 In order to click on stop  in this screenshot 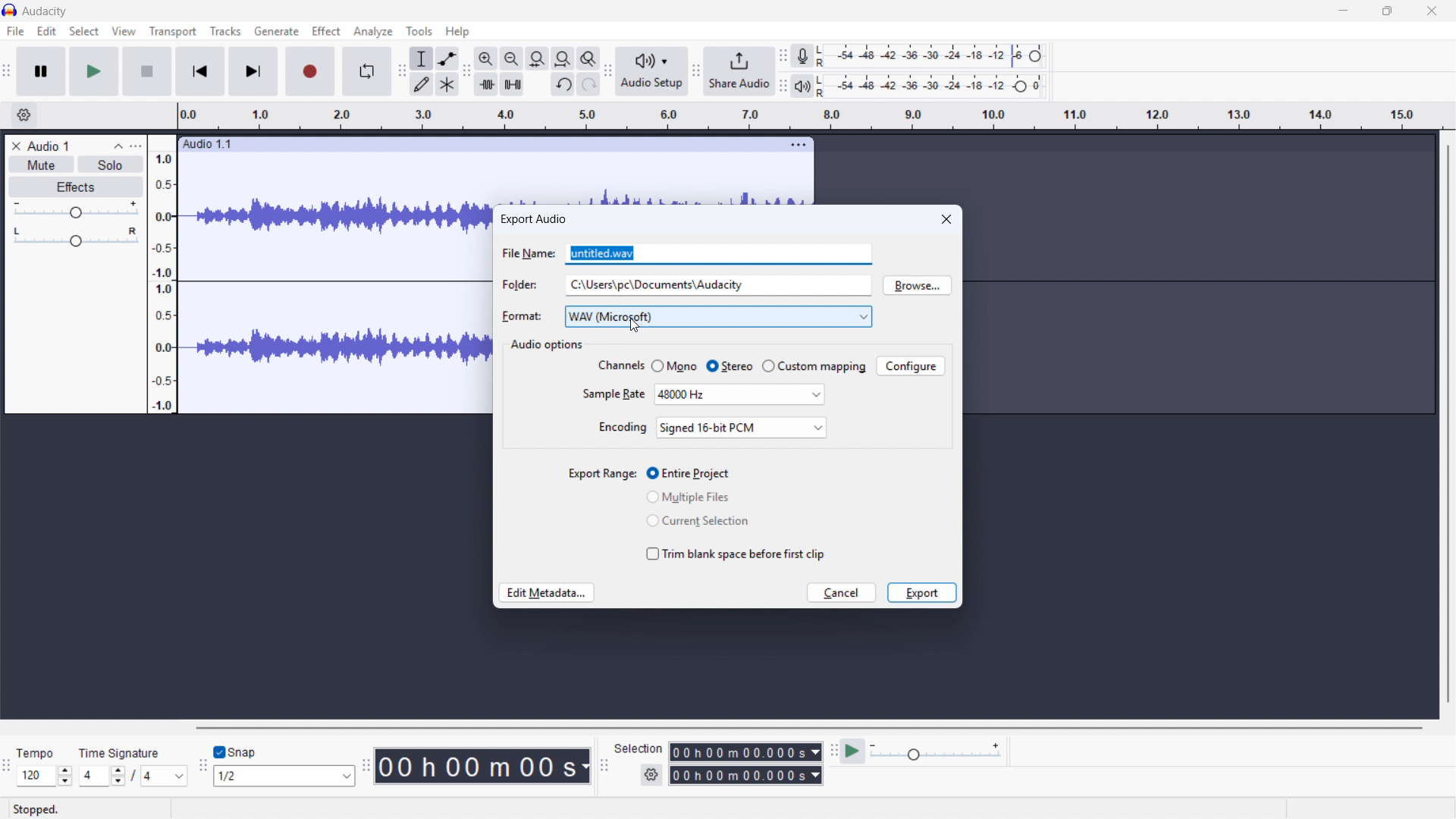, I will do `click(147, 71)`.